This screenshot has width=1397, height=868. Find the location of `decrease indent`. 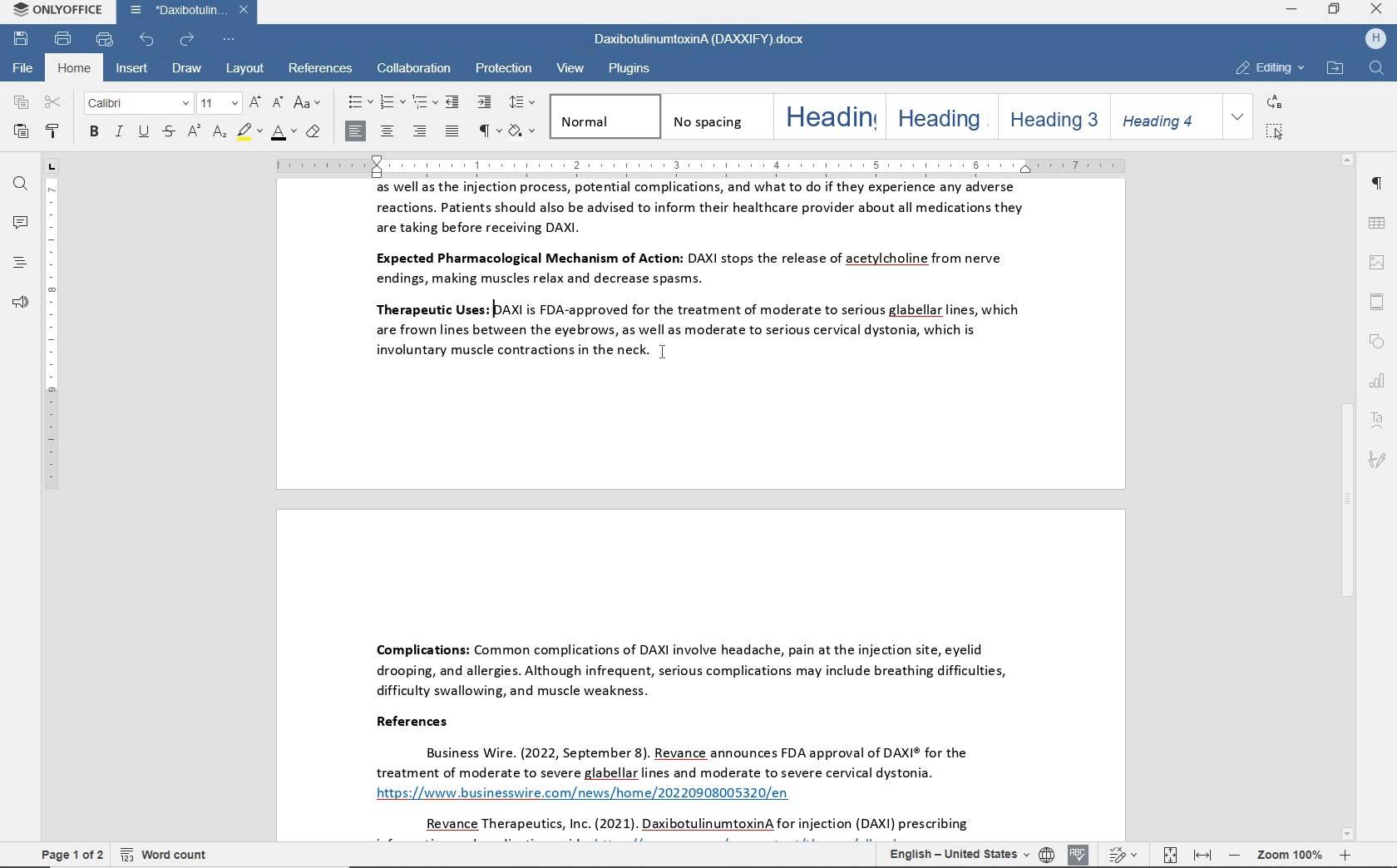

decrease indent is located at coordinates (455, 101).